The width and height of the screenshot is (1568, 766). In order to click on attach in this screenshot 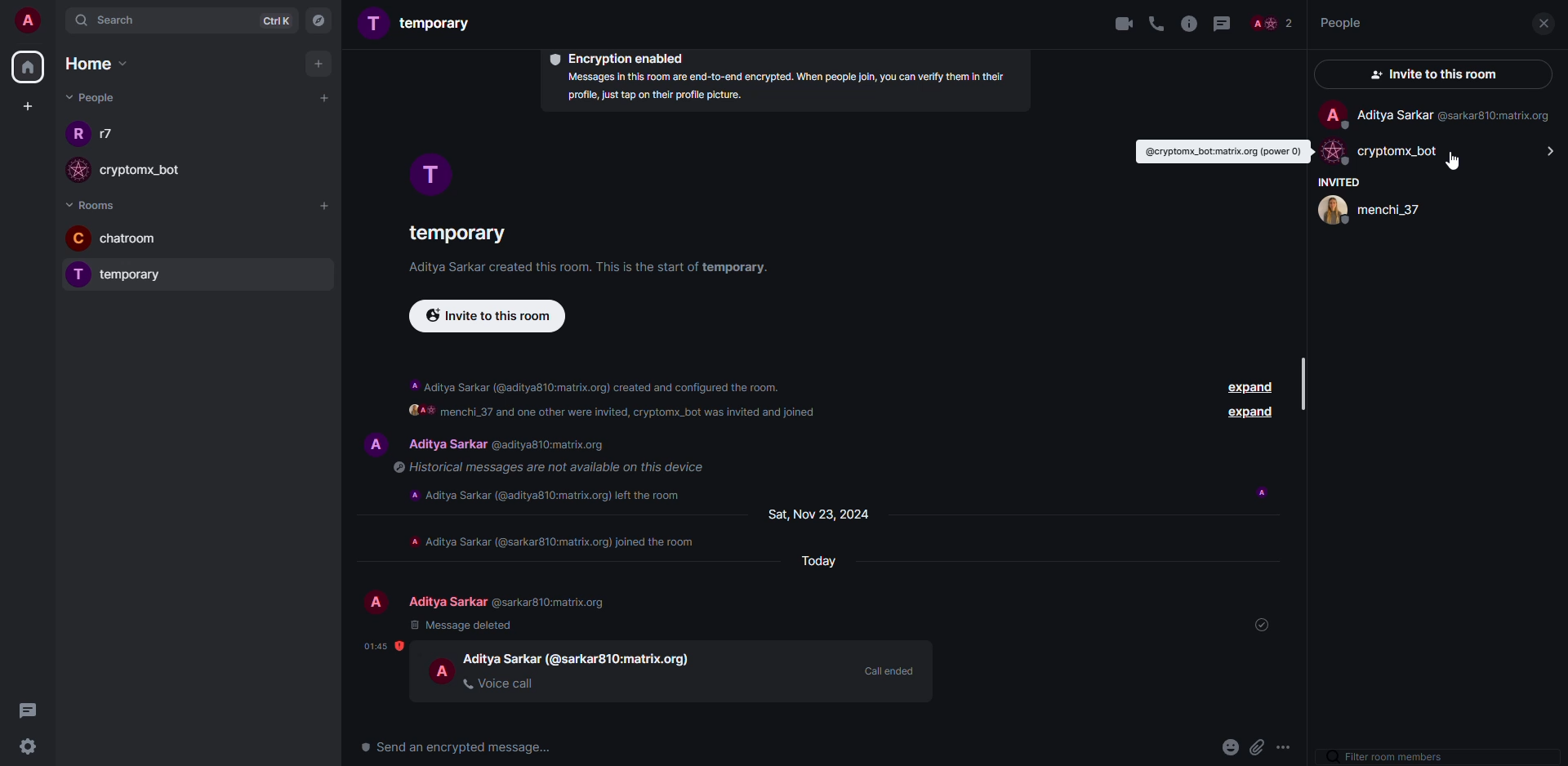, I will do `click(1258, 748)`.